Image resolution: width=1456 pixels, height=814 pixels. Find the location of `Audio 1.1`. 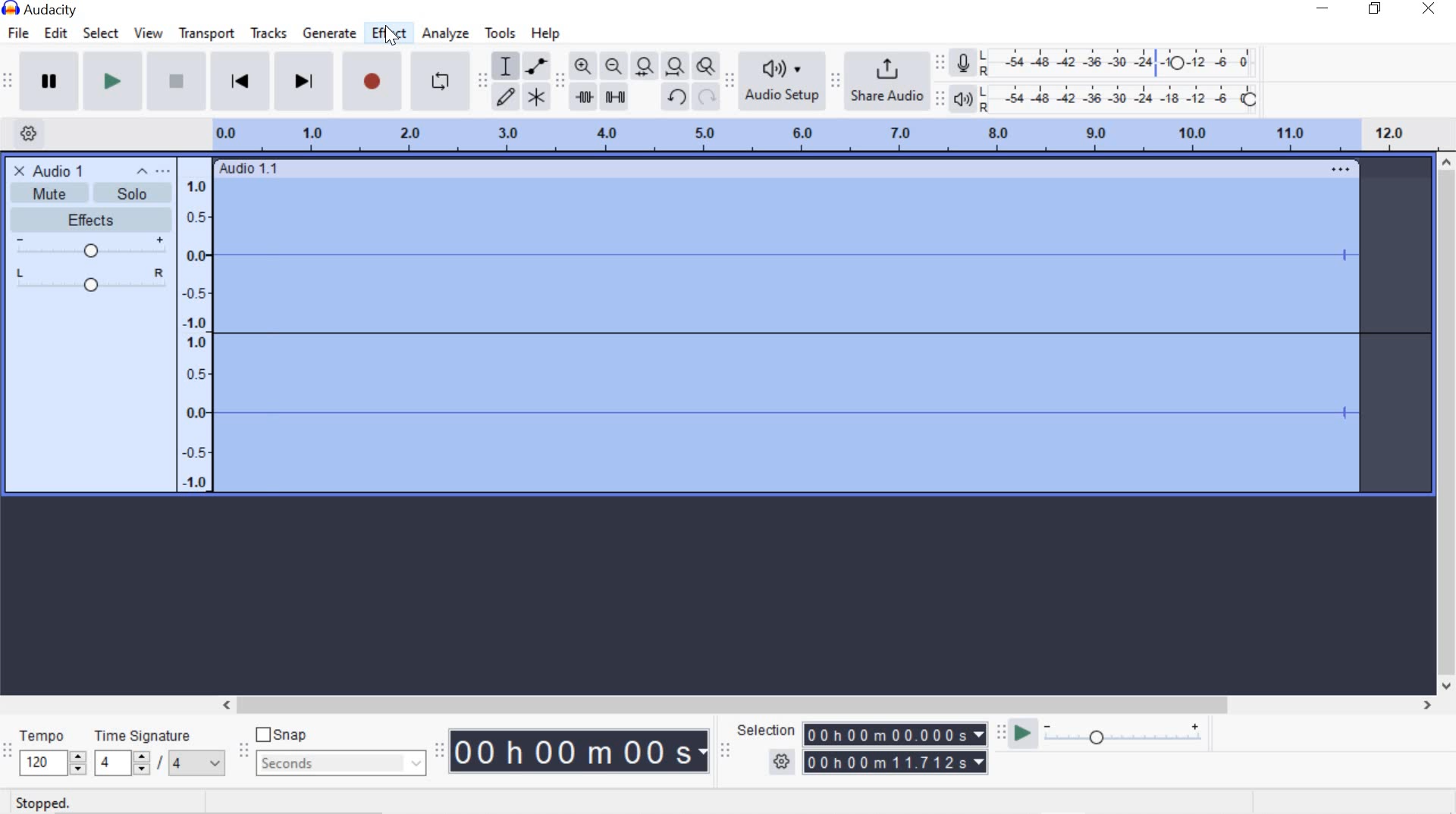

Audio 1.1 is located at coordinates (790, 166).